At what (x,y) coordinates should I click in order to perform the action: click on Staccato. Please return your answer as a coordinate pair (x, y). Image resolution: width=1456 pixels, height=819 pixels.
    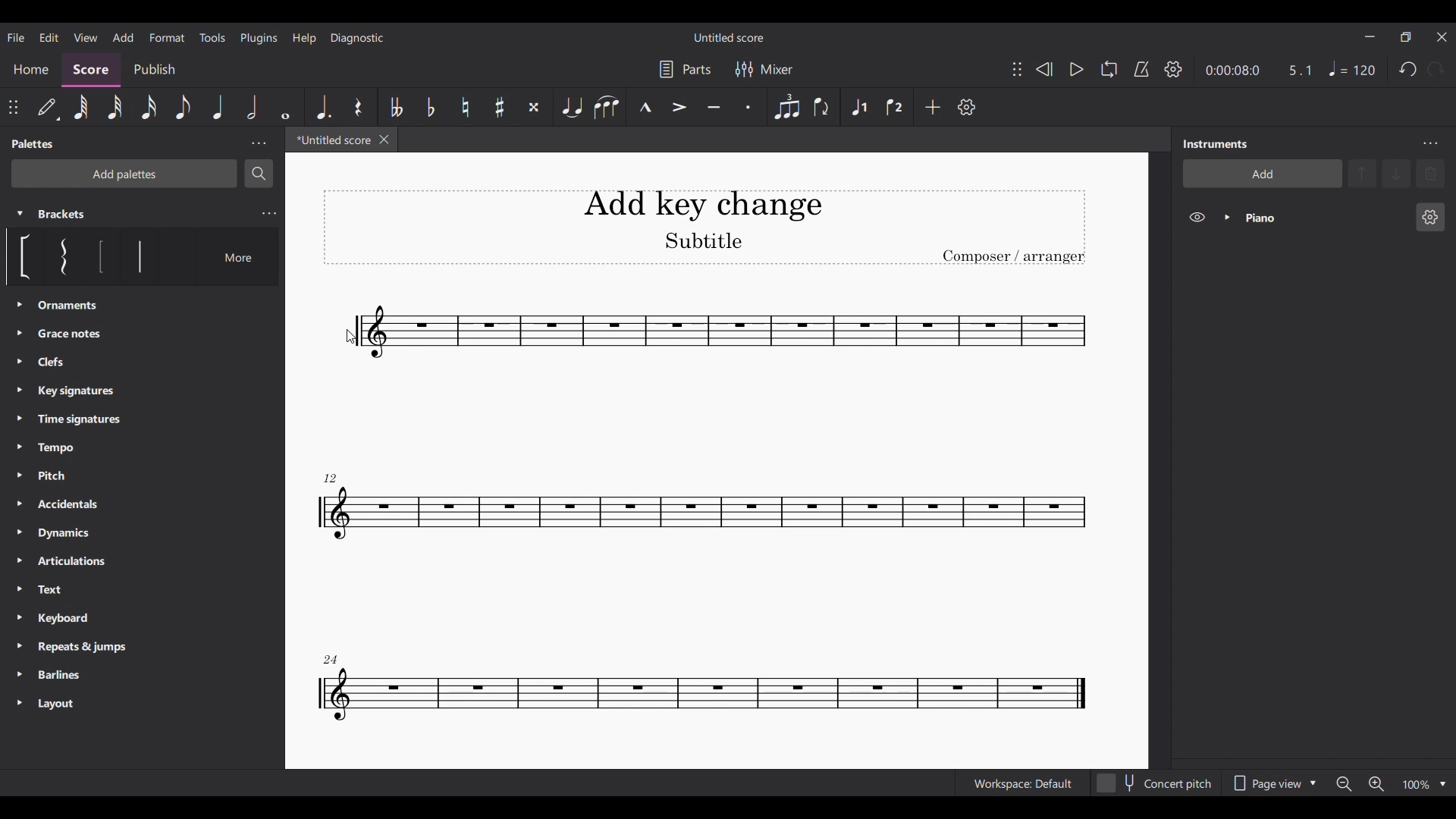
    Looking at the image, I should click on (748, 107).